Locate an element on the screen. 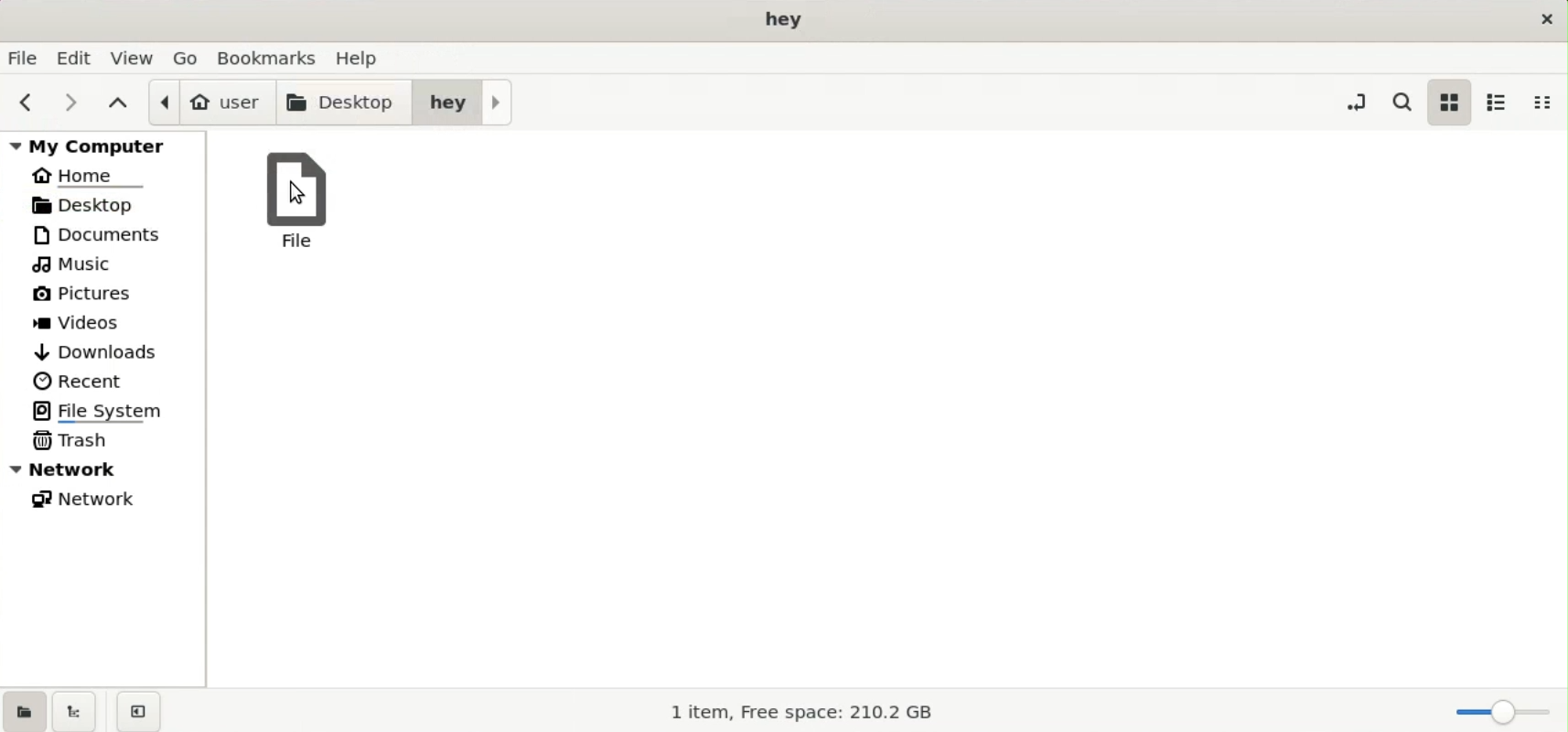  compact view is located at coordinates (1548, 102).